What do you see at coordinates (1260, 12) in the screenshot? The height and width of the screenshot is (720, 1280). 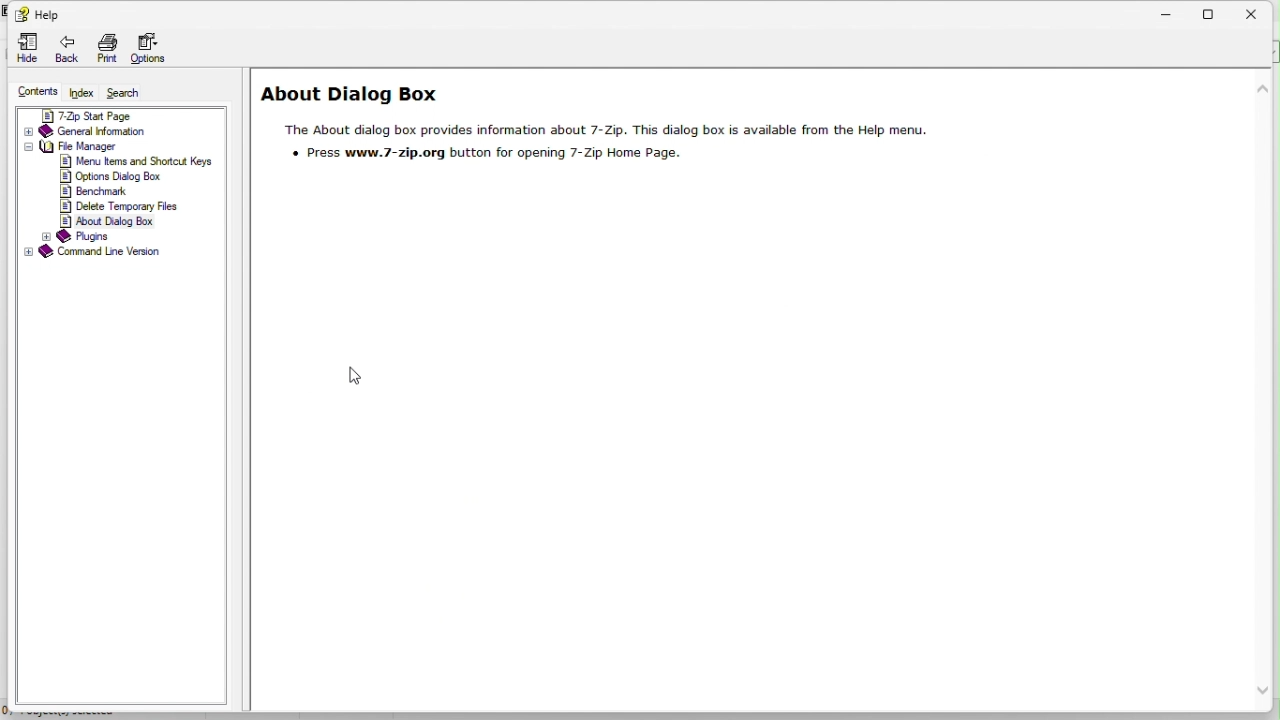 I see `Close` at bounding box center [1260, 12].